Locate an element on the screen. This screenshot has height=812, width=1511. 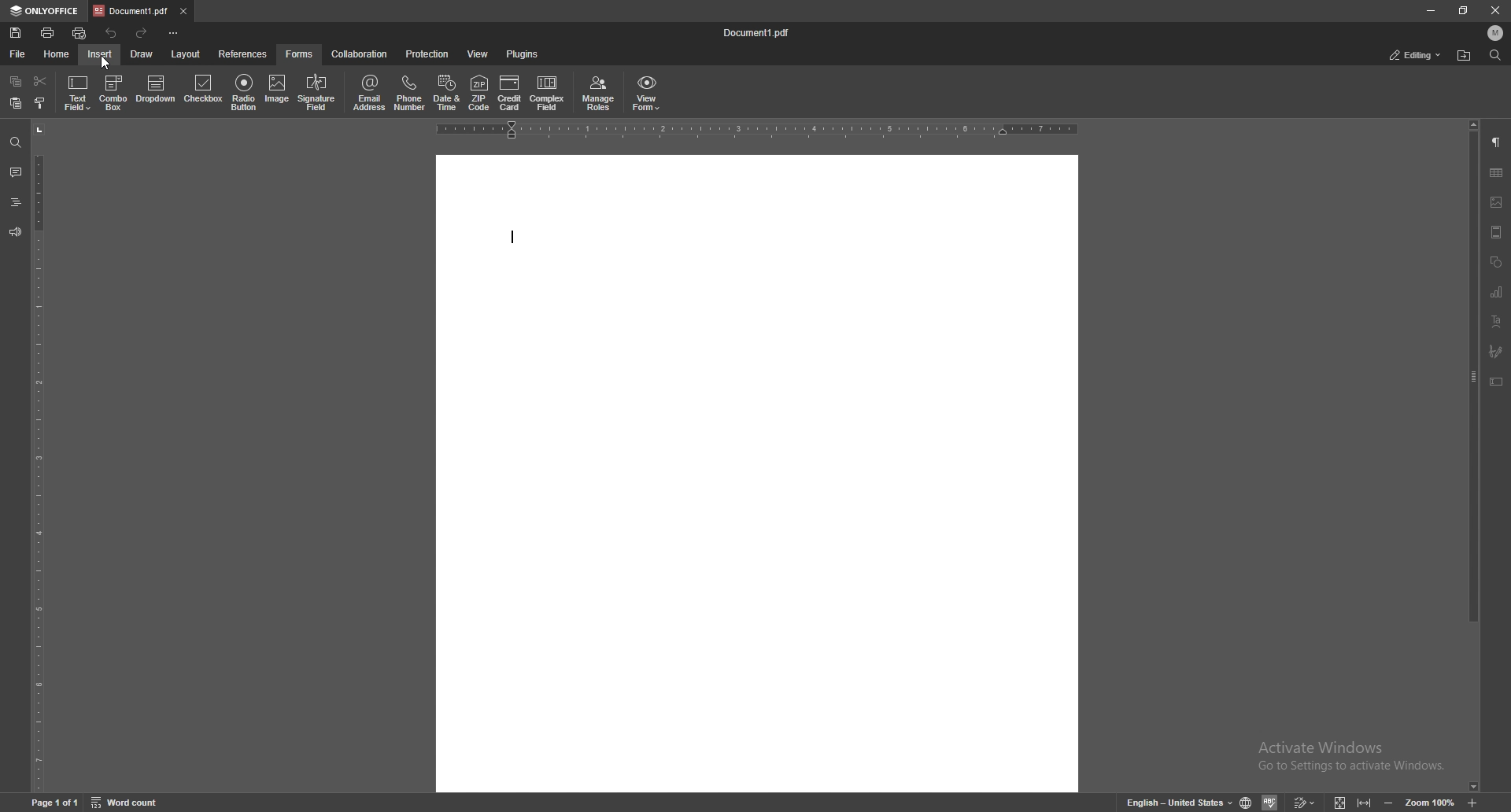
signature field is located at coordinates (1496, 350).